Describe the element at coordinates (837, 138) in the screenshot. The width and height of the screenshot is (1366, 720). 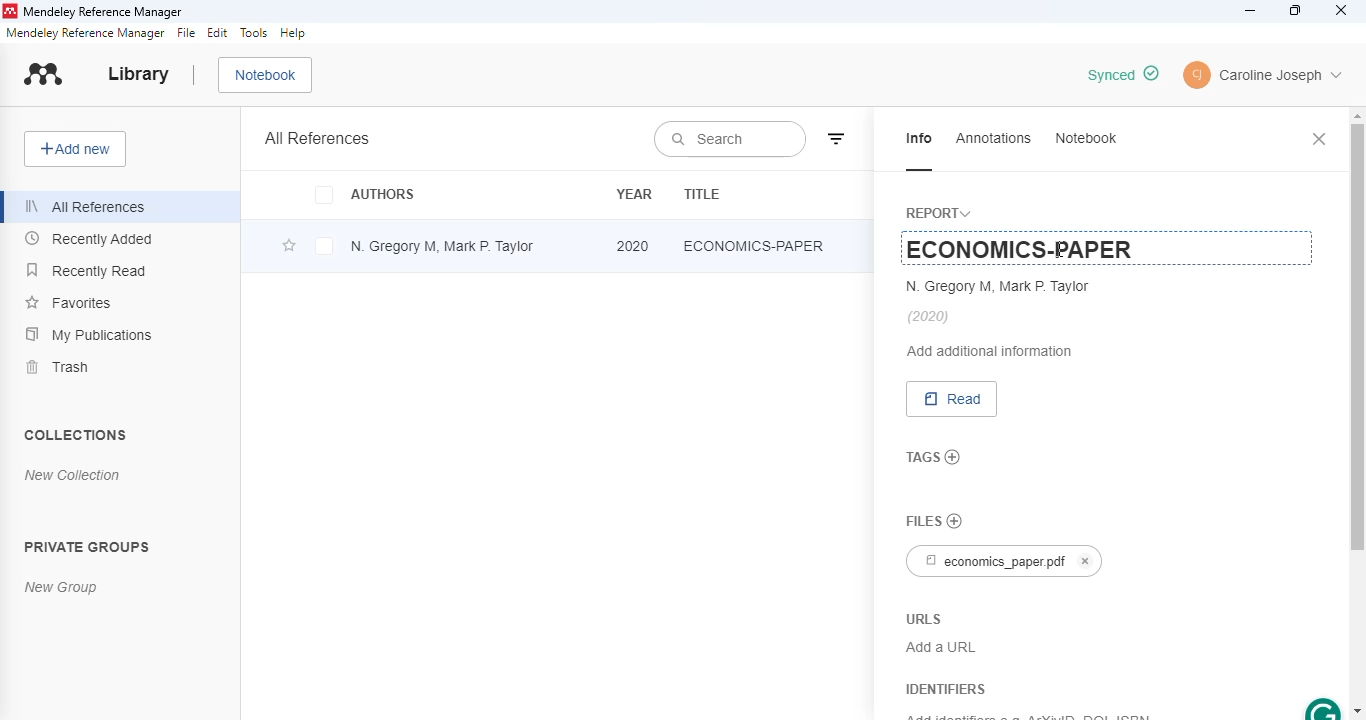
I see `filter by` at that location.